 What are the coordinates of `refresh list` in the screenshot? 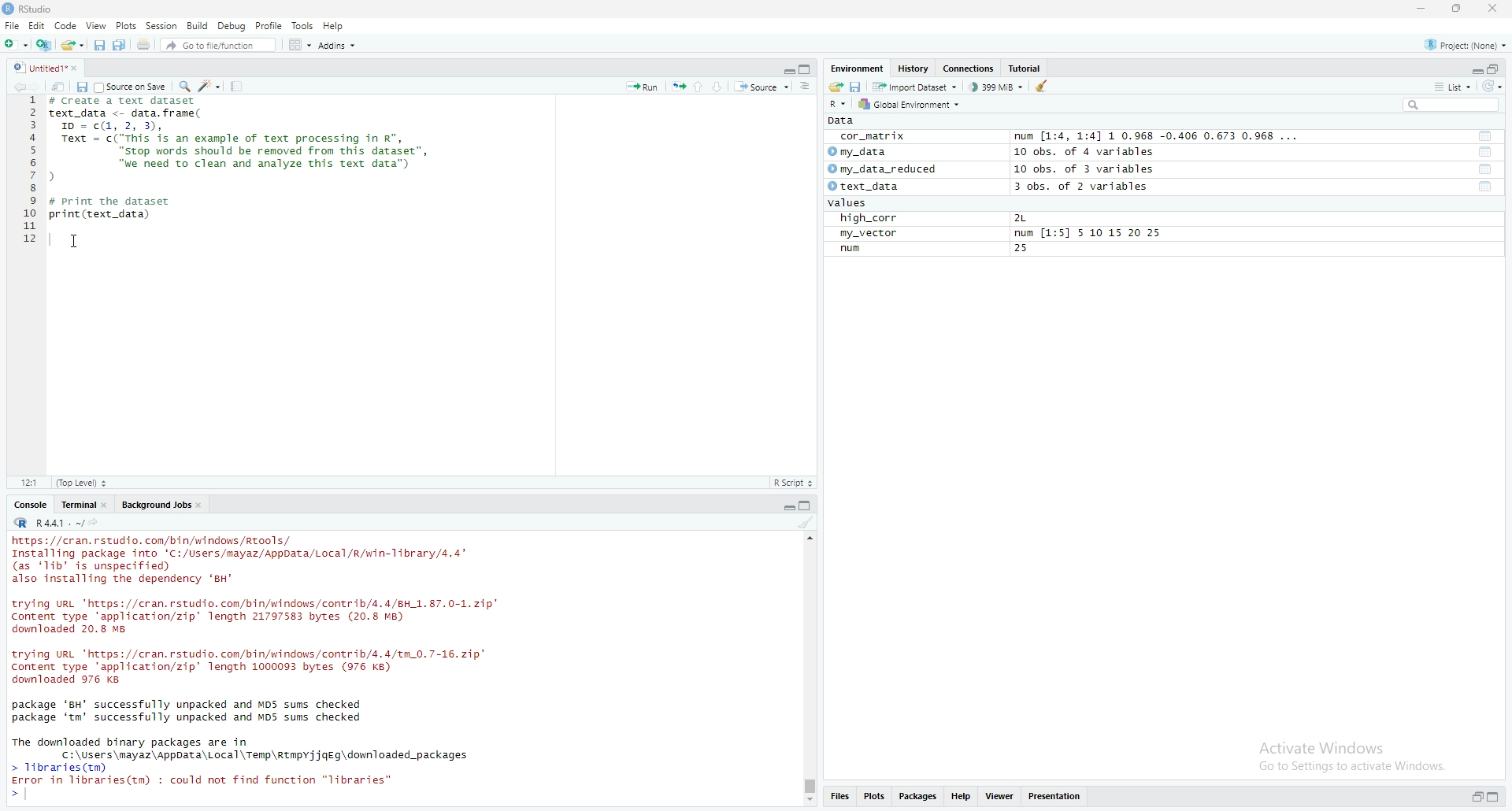 It's located at (1492, 89).